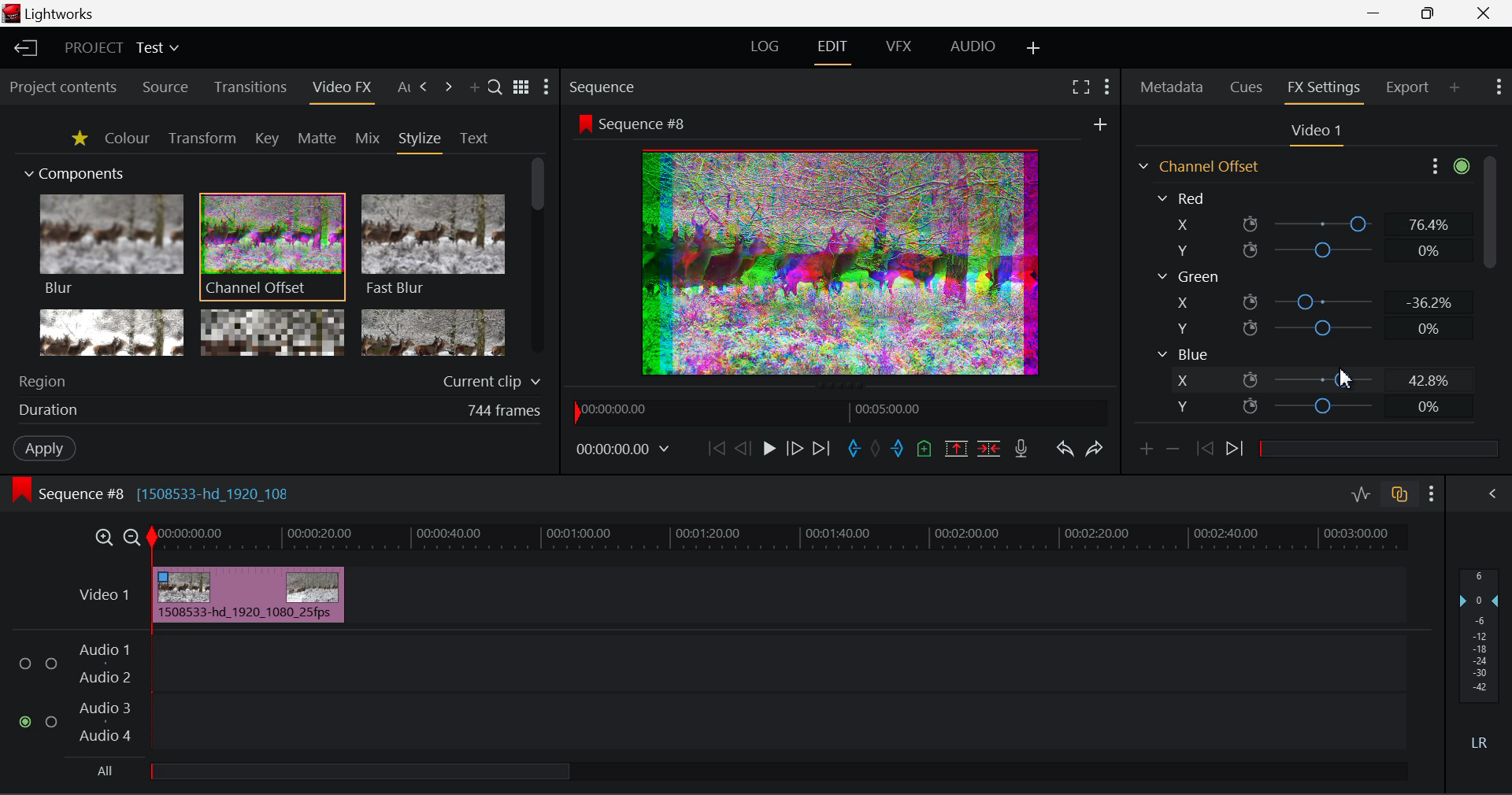  What do you see at coordinates (1188, 276) in the screenshot?
I see `Green` at bounding box center [1188, 276].